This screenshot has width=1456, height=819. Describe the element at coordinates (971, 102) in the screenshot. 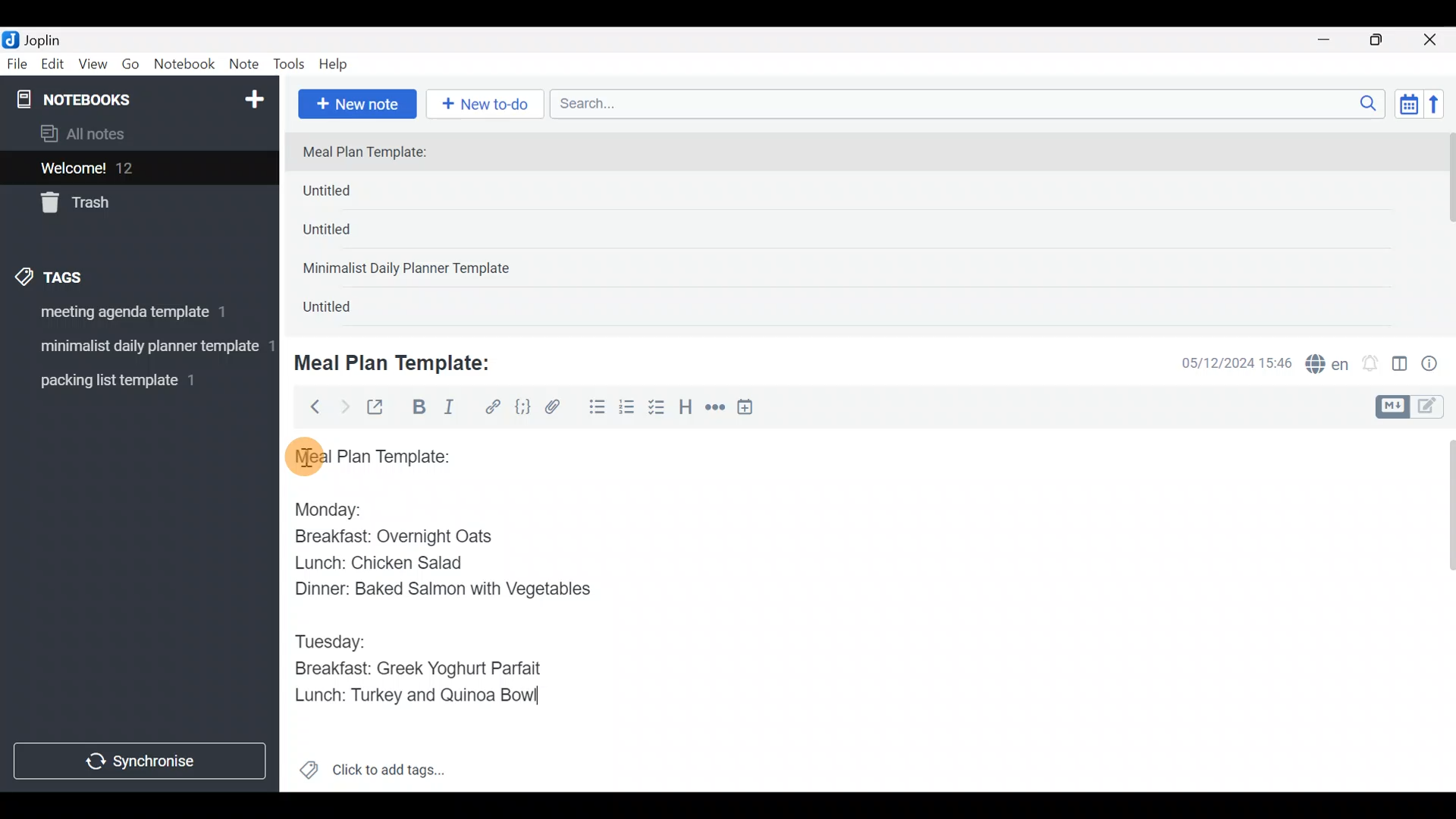

I see `Search bar` at that location.